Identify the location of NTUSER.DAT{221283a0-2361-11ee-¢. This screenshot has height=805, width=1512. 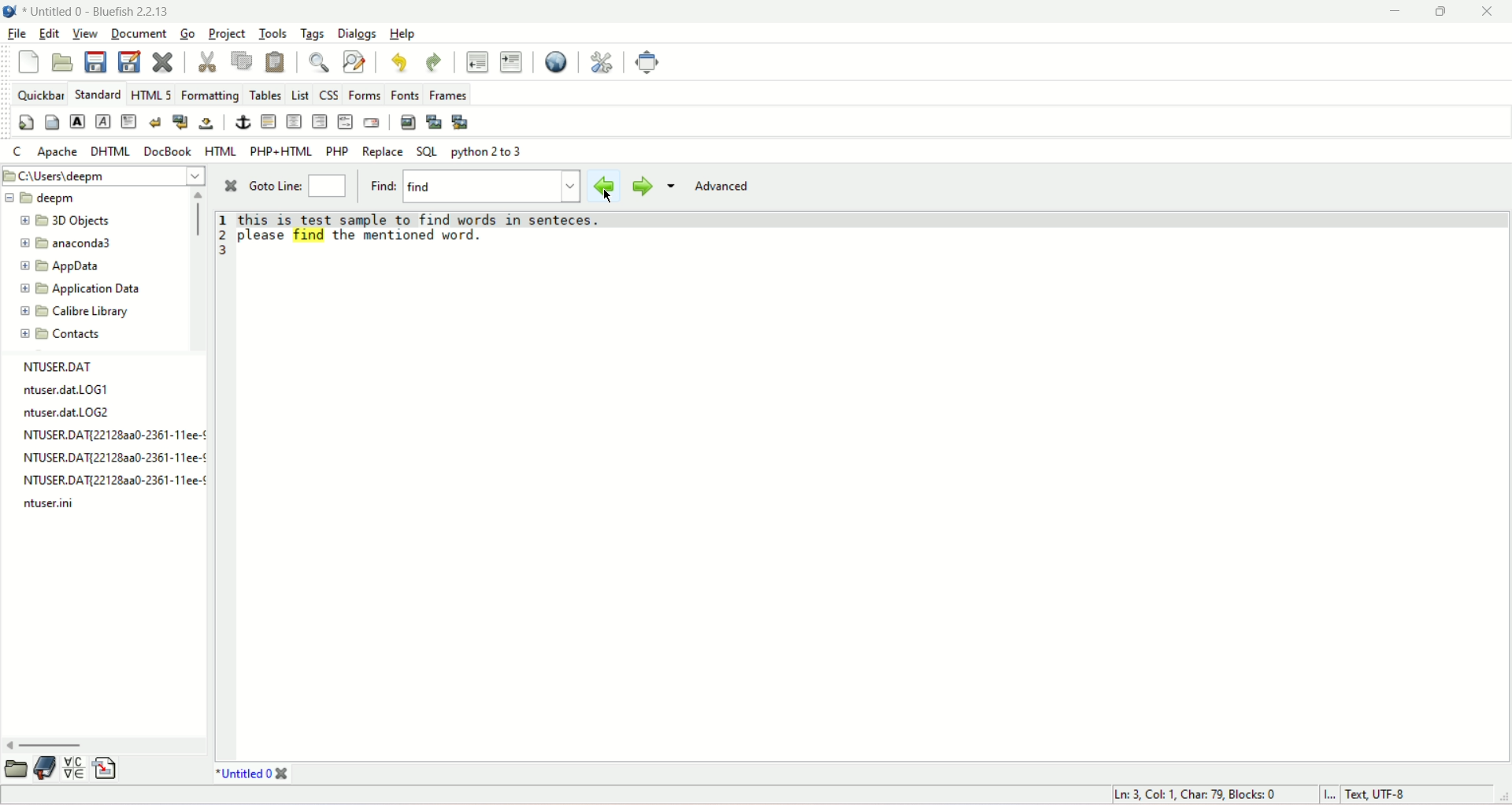
(109, 457).